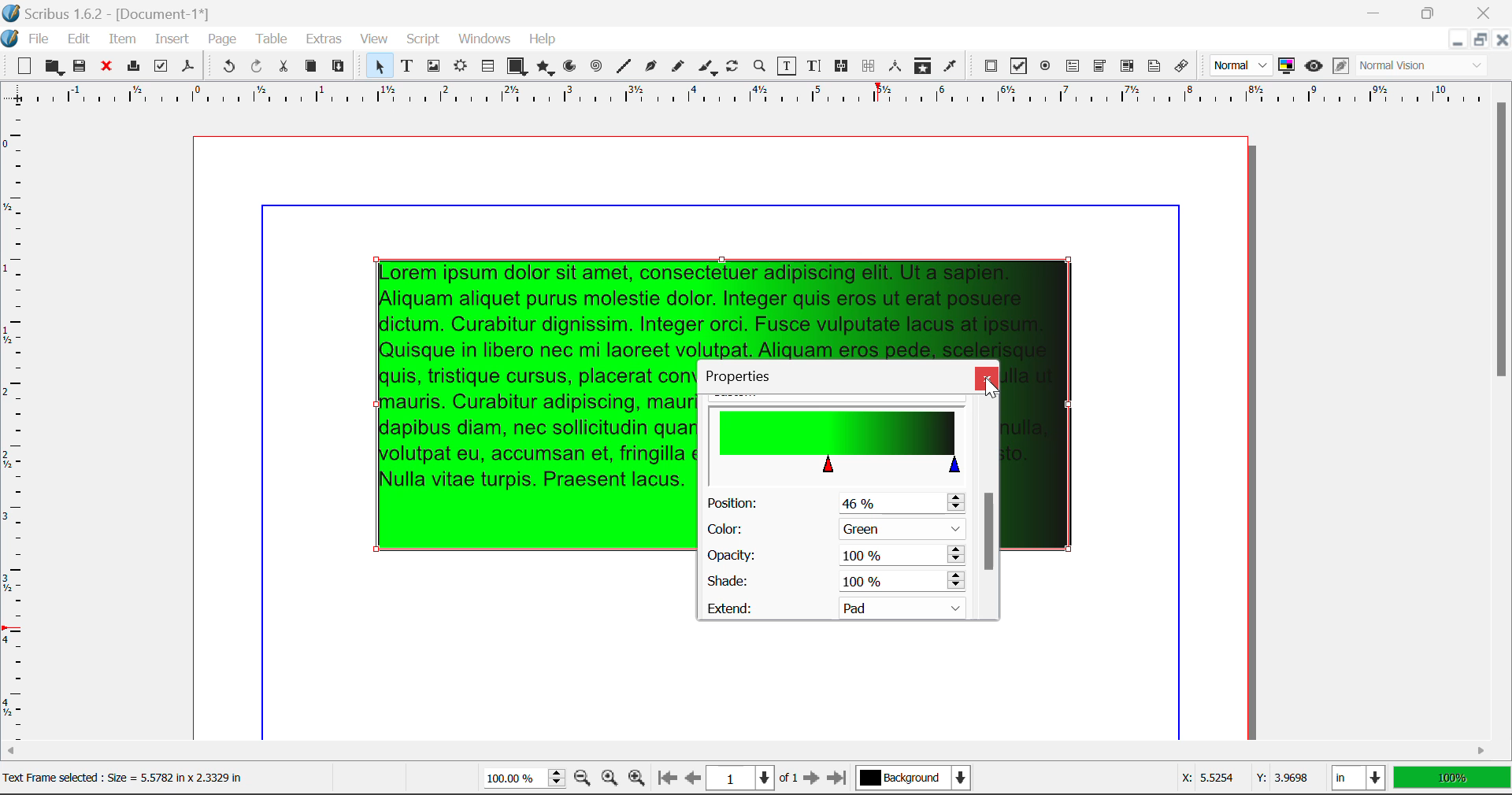 The width and height of the screenshot is (1512, 795). I want to click on Redo, so click(257, 68).